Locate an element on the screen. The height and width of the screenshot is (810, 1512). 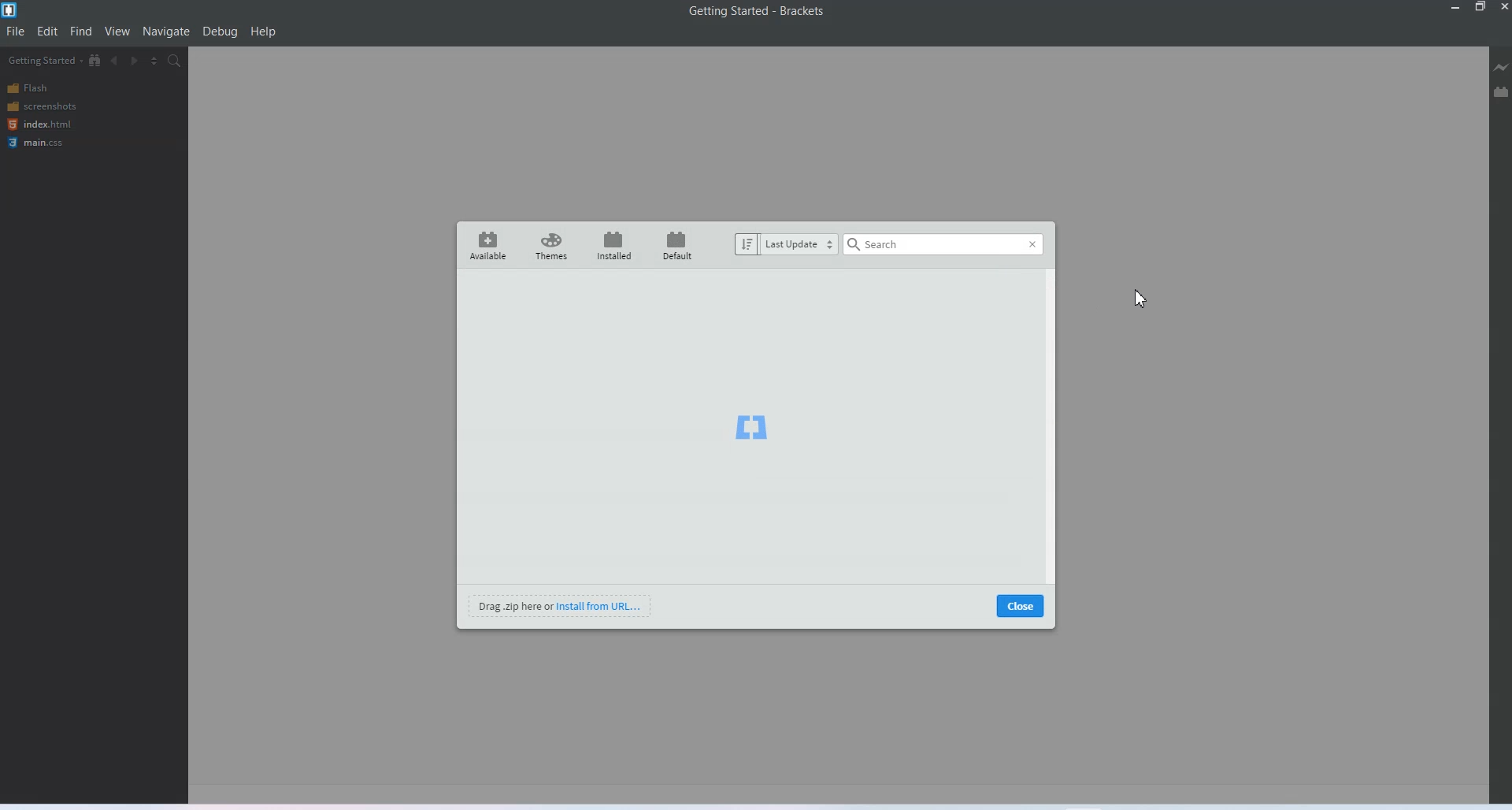
Edit is located at coordinates (47, 32).